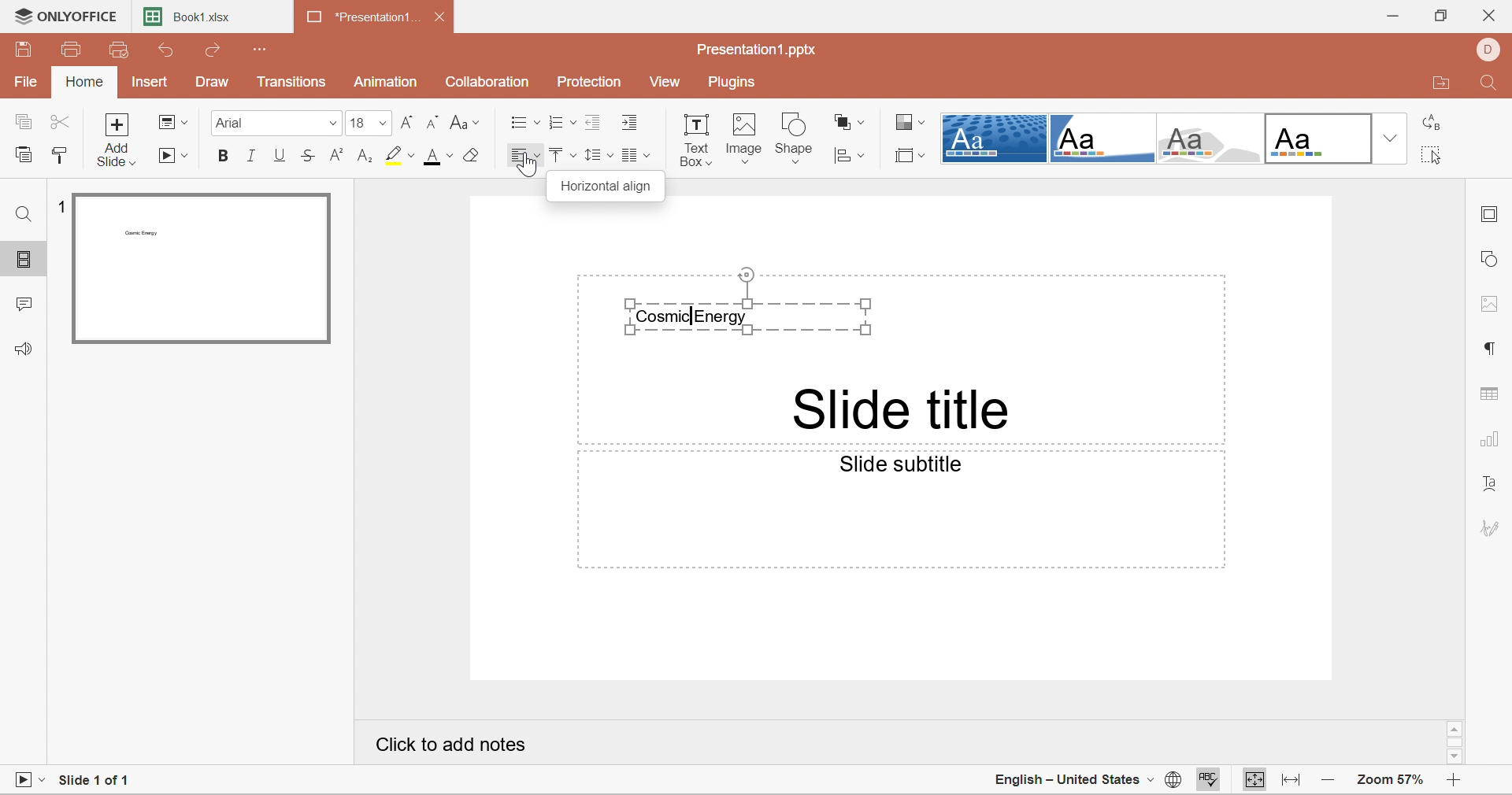  I want to click on Feedback & Support, so click(23, 349).